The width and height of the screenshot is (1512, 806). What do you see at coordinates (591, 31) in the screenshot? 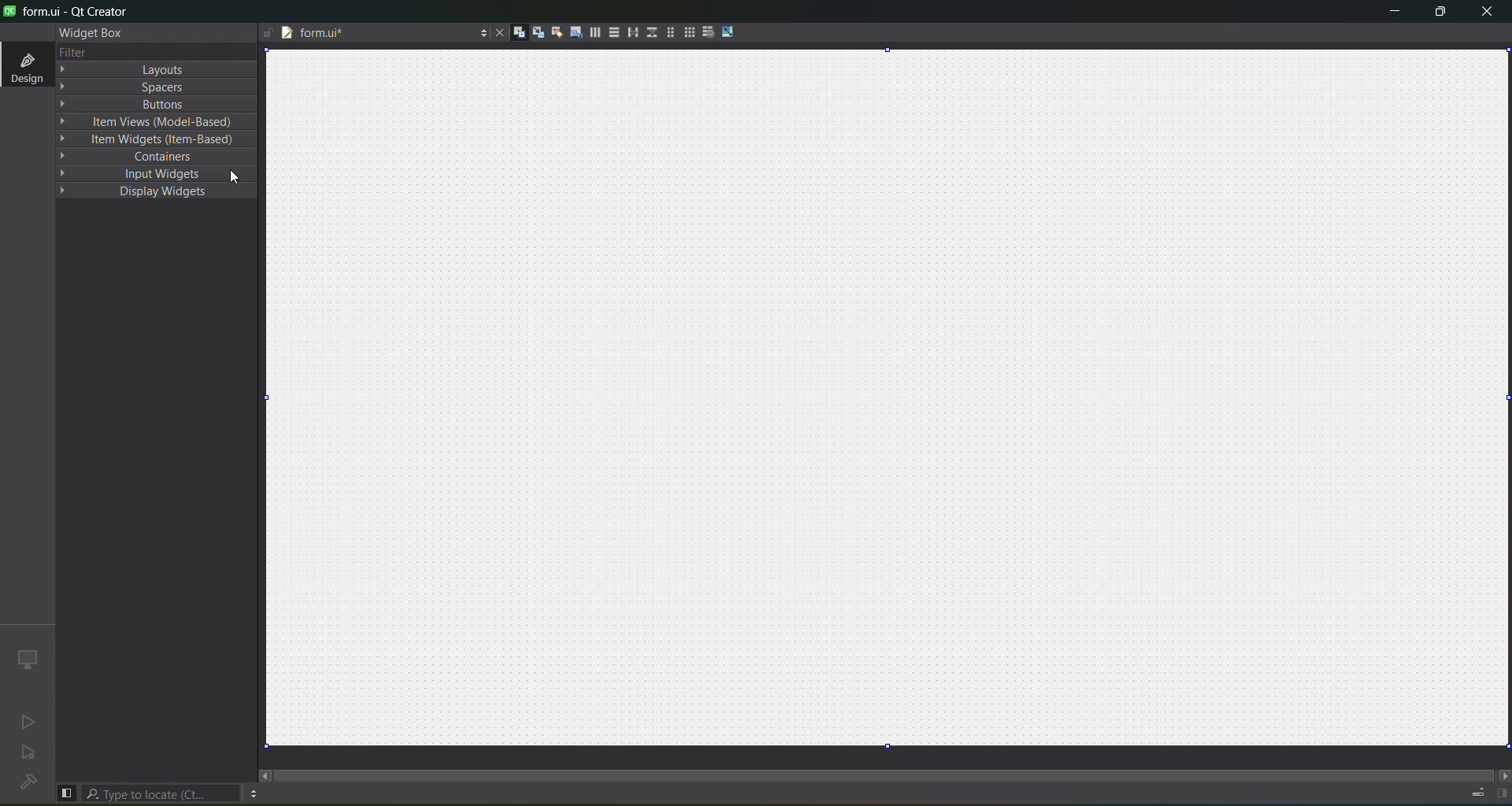
I see `horizontal layout` at bounding box center [591, 31].